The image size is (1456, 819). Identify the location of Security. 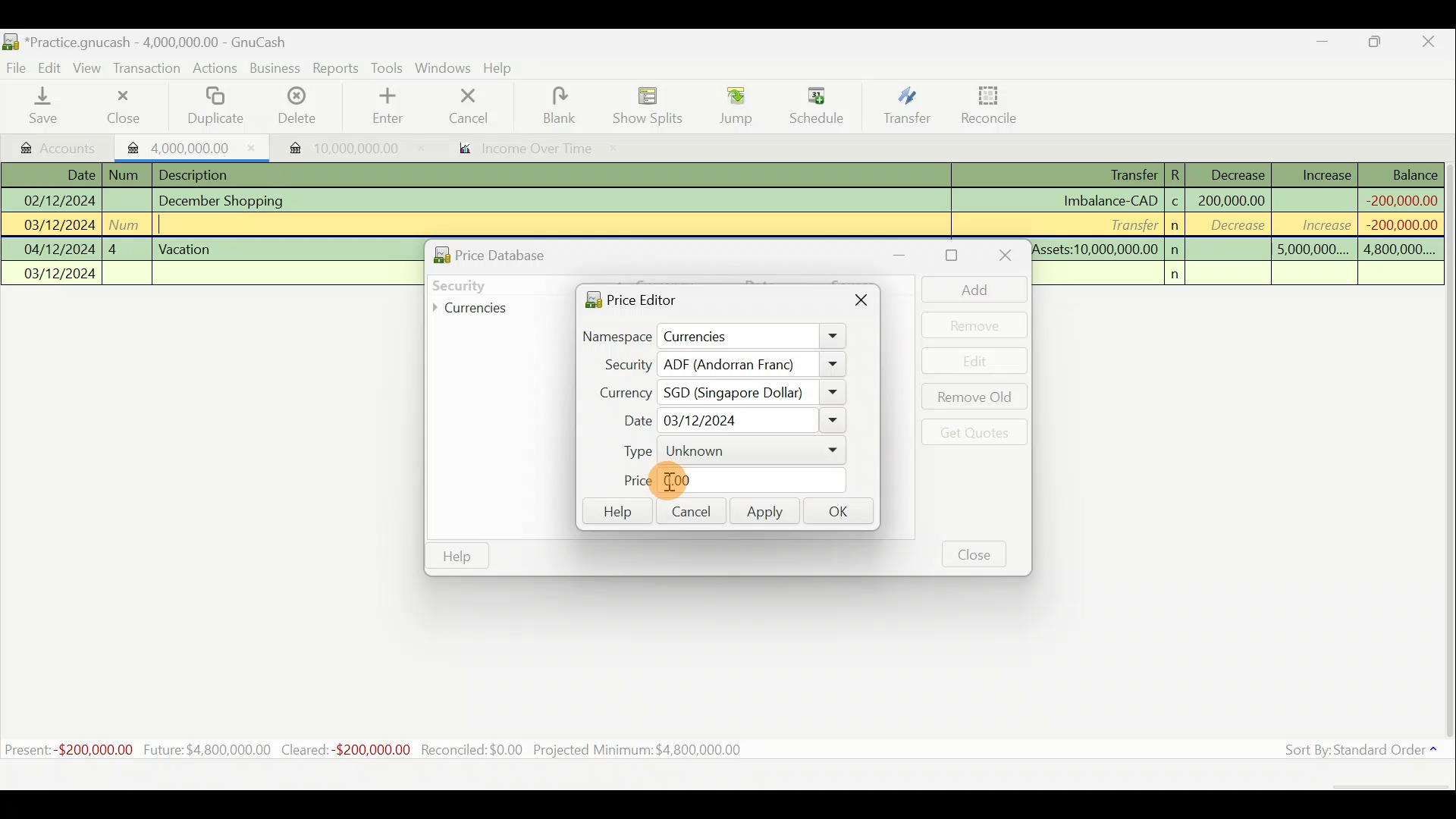
(490, 284).